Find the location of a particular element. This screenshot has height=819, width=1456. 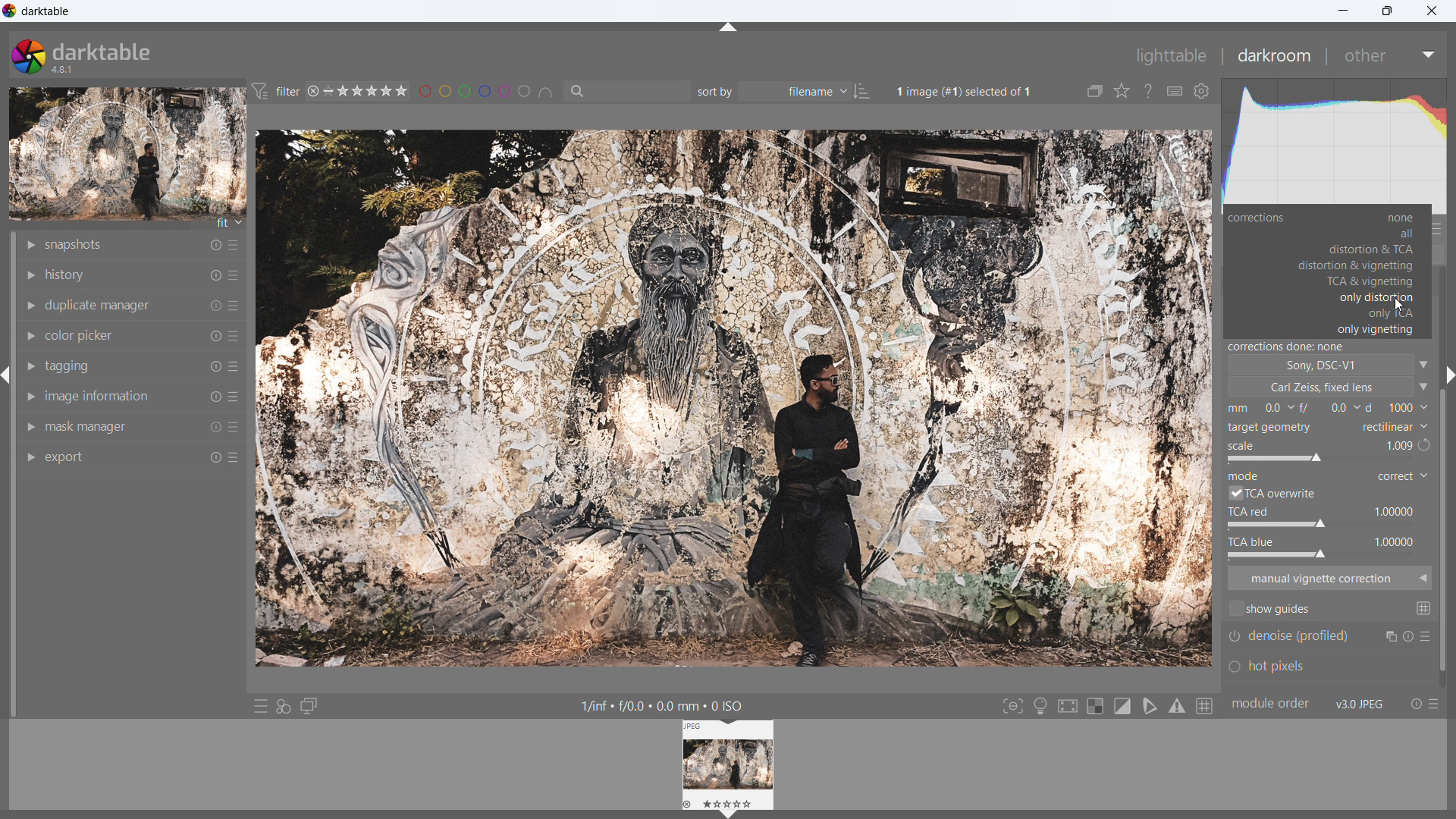

mode is located at coordinates (1401, 476).